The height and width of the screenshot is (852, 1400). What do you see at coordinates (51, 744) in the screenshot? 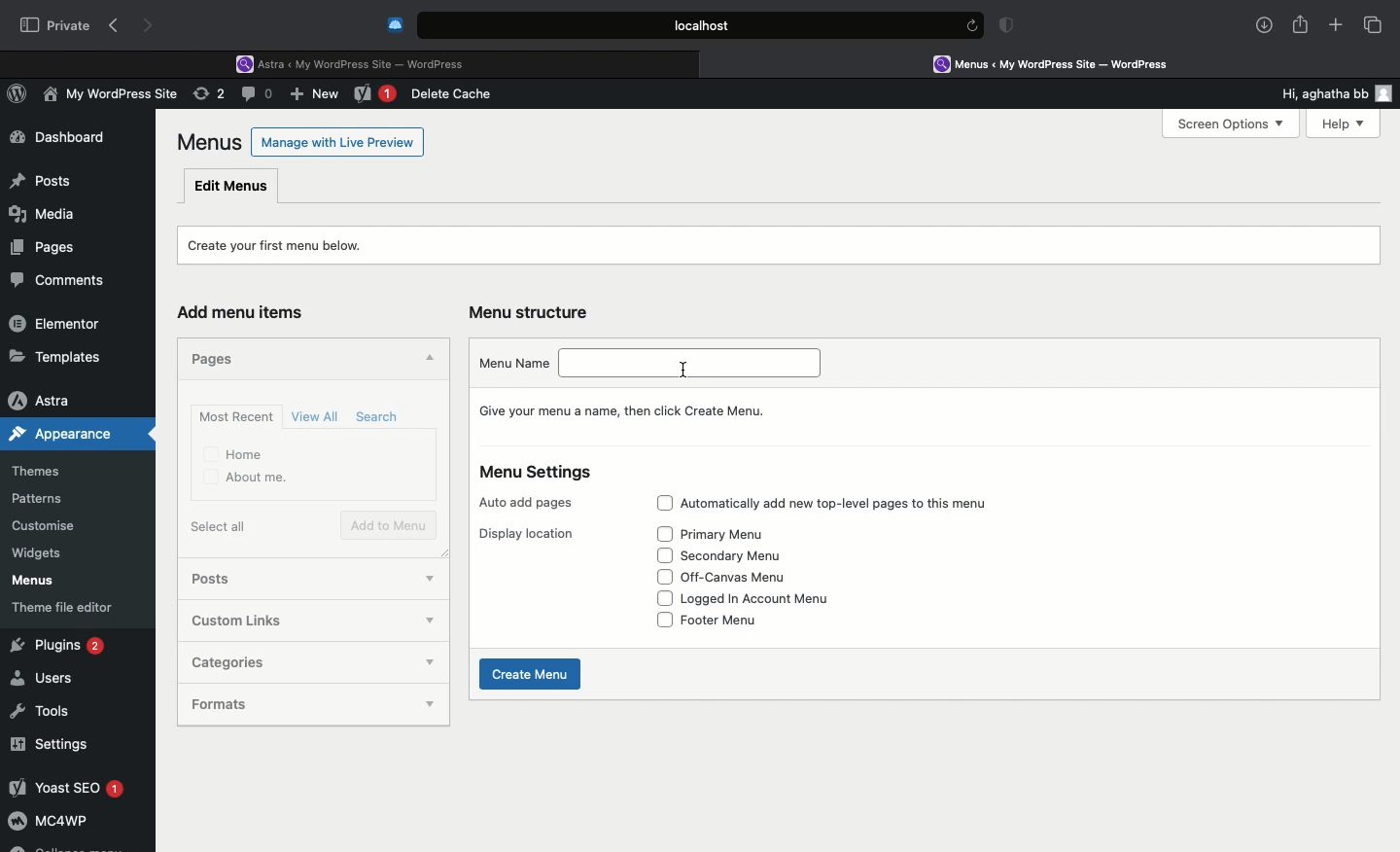
I see `Settings` at bounding box center [51, 744].